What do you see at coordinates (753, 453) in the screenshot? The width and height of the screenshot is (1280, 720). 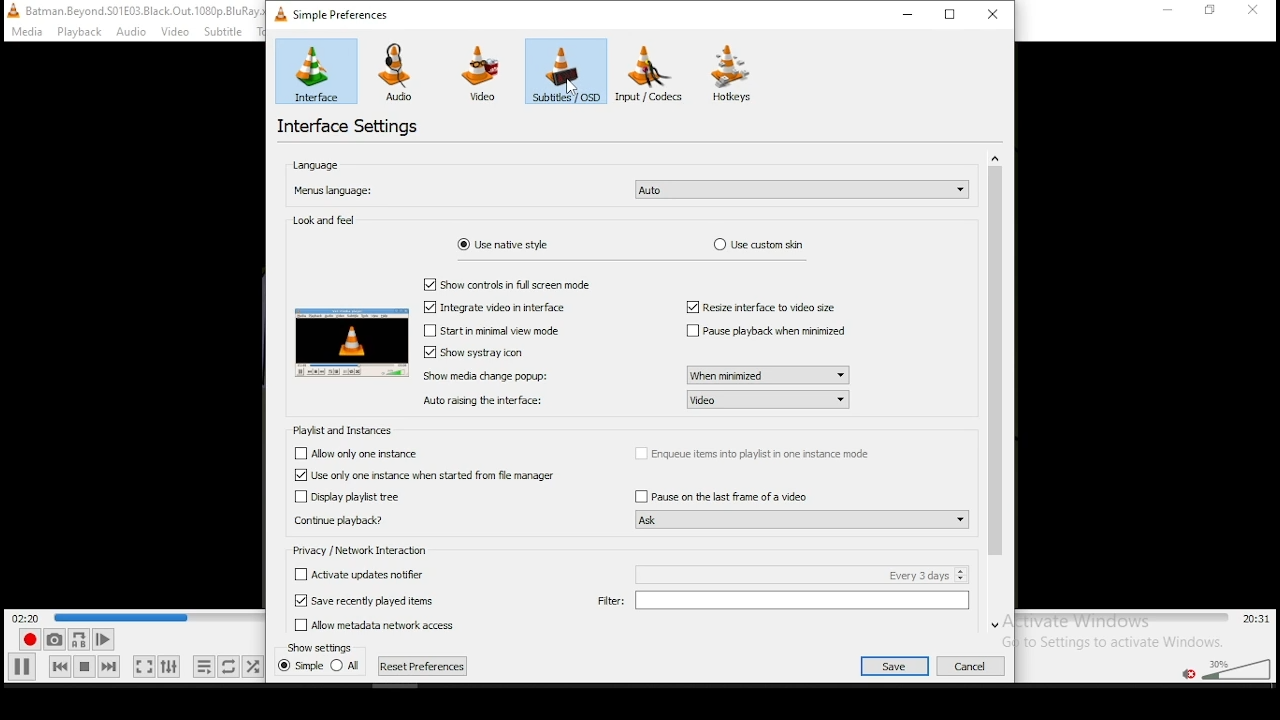 I see `checkbox: enqueue items into playlist in one instance mode` at bounding box center [753, 453].